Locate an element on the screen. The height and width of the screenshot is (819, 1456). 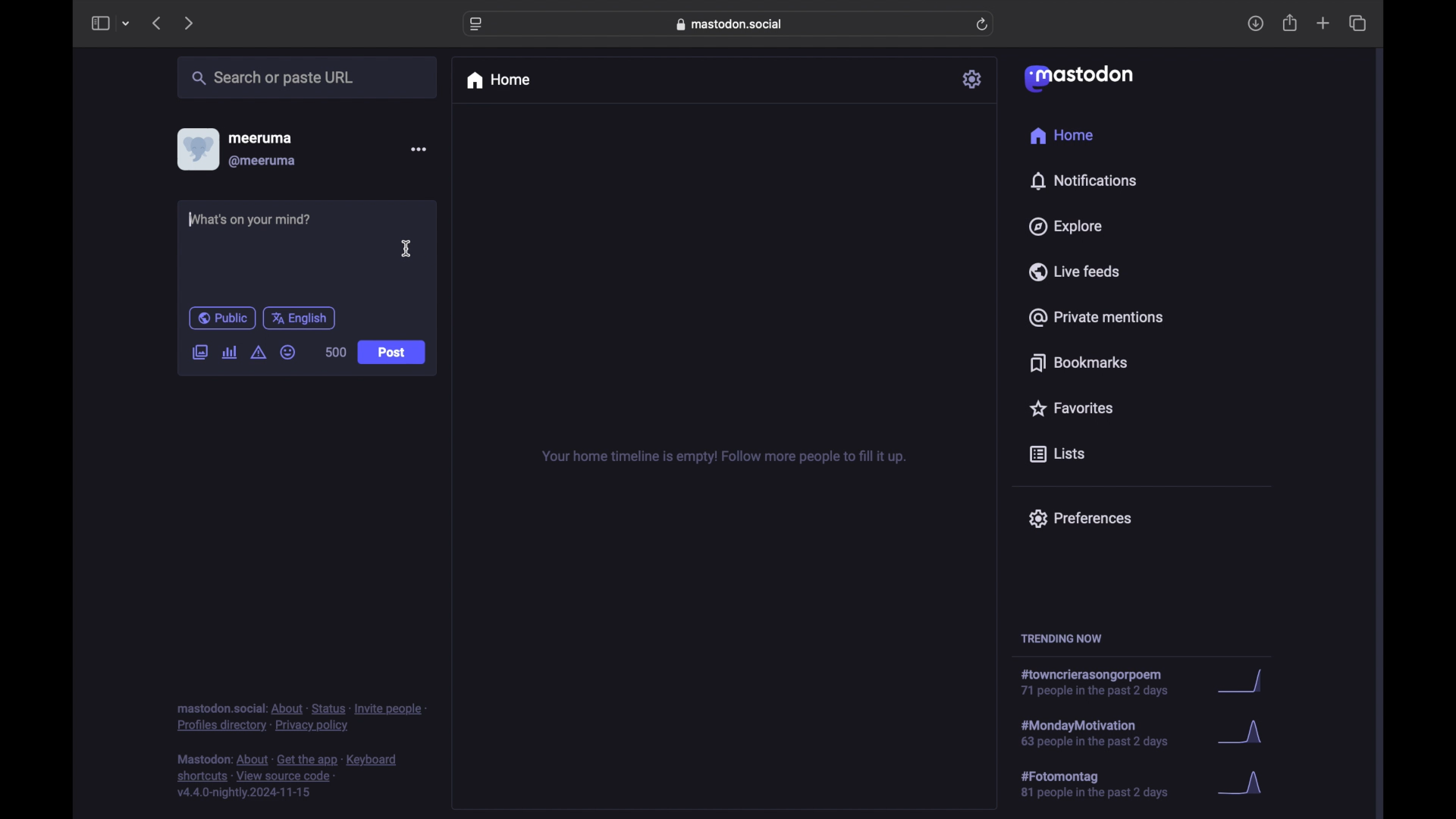
what's on your mind? is located at coordinates (251, 218).